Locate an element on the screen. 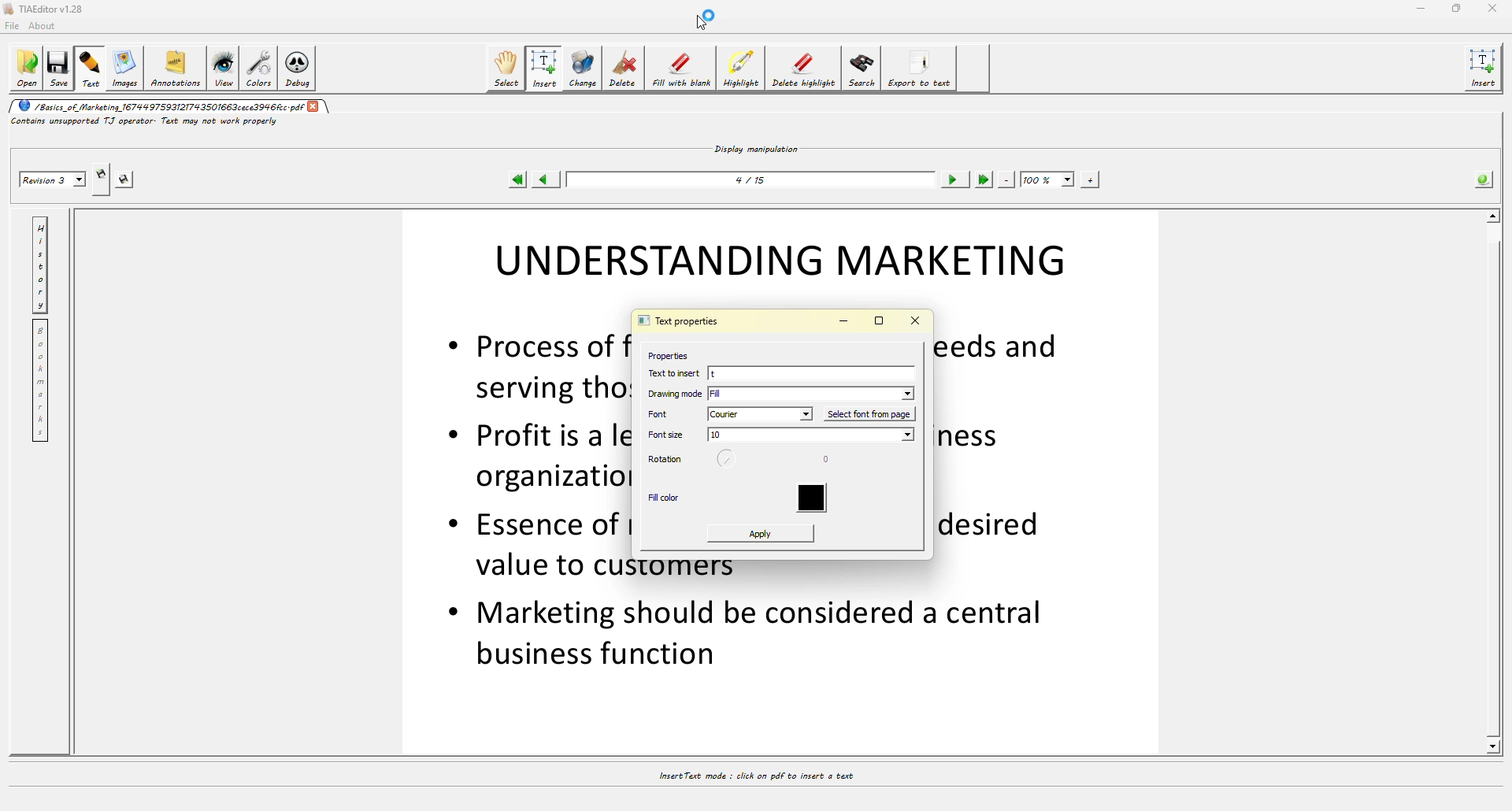 This screenshot has height=811, width=1512. bookmarks is located at coordinates (43, 381).